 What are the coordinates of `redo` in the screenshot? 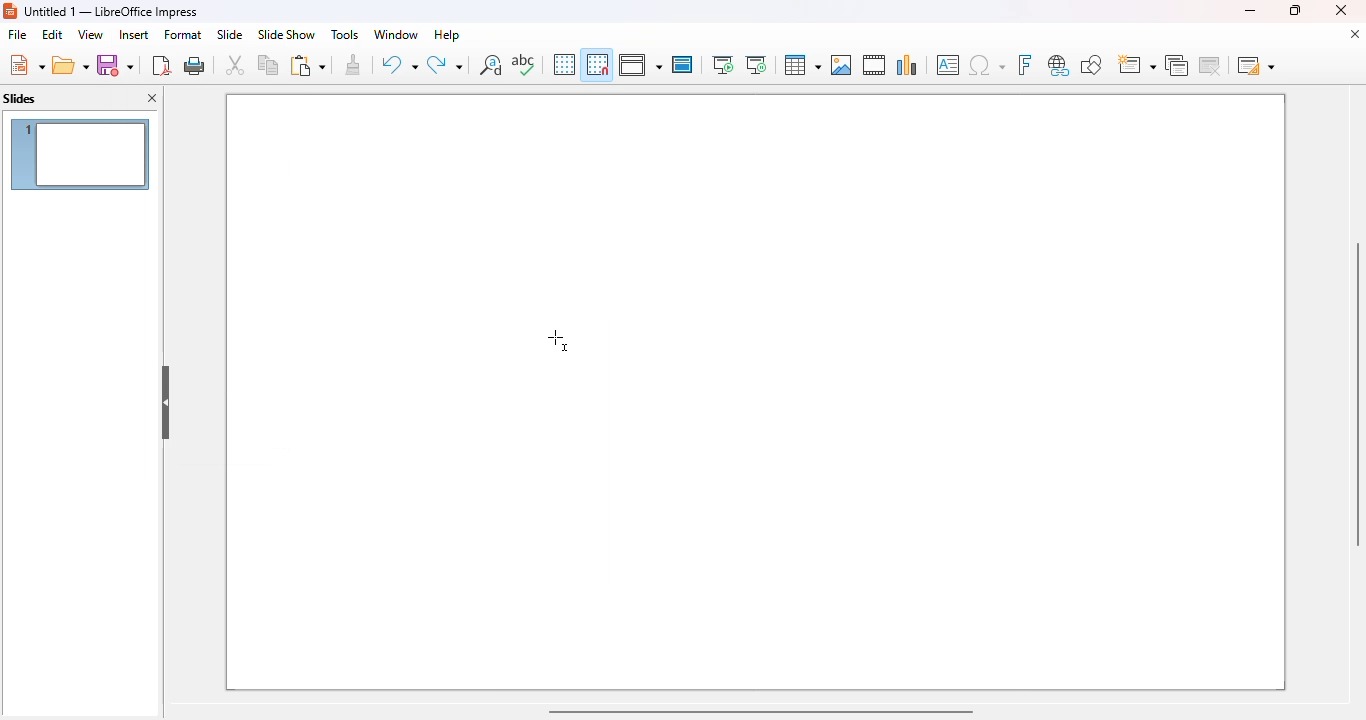 It's located at (445, 65).